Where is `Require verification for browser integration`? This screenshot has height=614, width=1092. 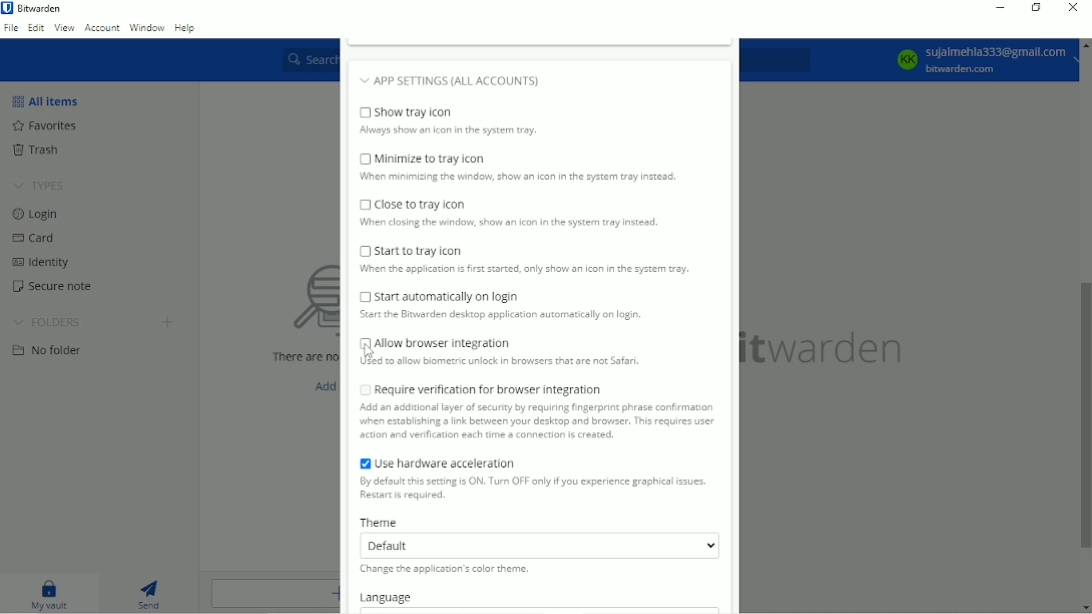
Require verification for browser integration is located at coordinates (479, 388).